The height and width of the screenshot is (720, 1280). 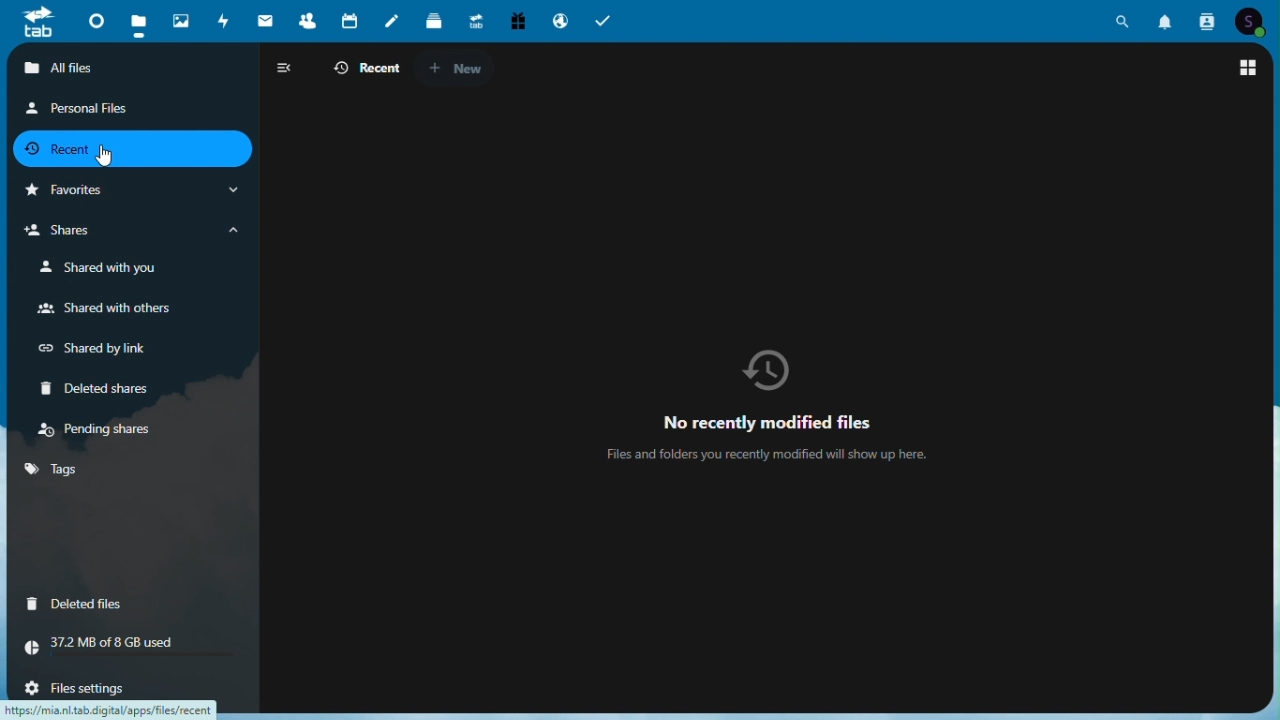 What do you see at coordinates (100, 307) in the screenshot?
I see `` at bounding box center [100, 307].